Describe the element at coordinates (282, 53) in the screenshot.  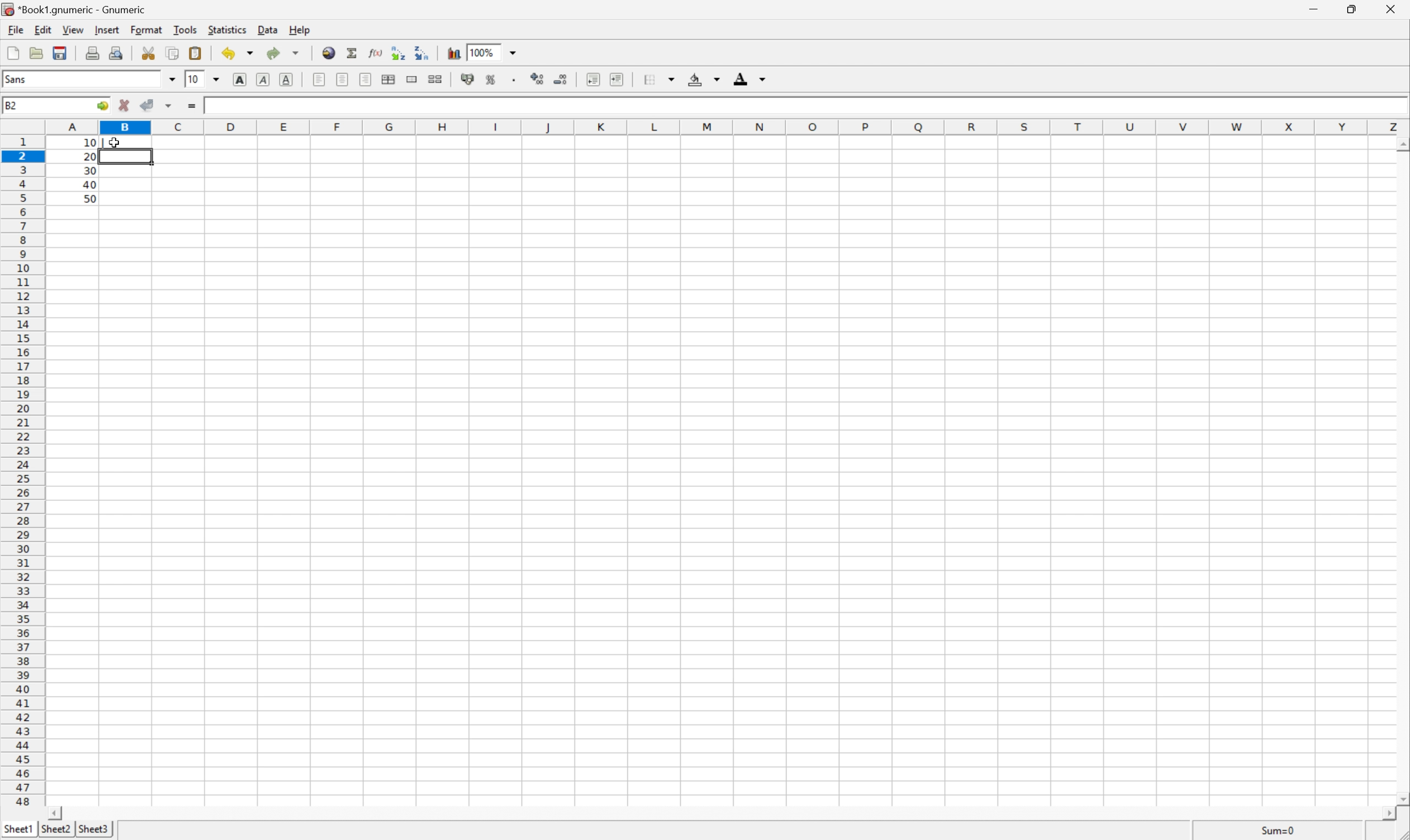
I see `Redo` at that location.